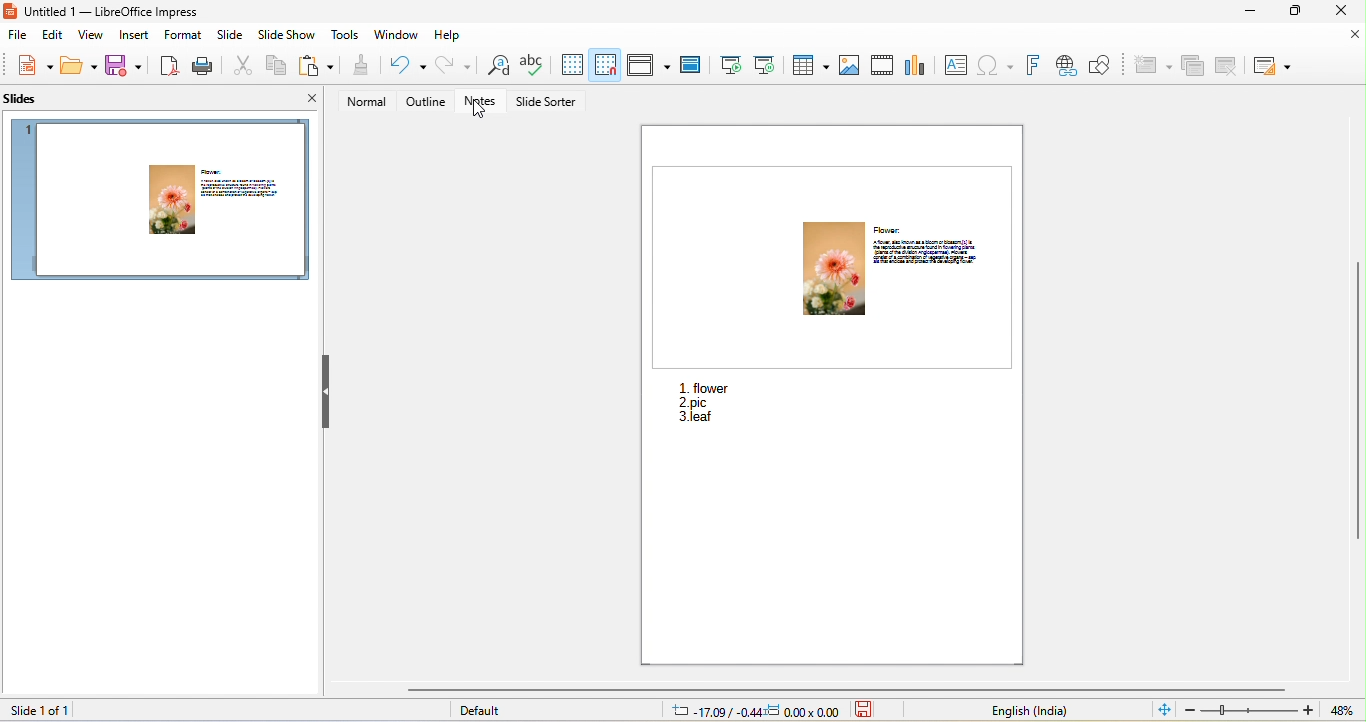  Describe the element at coordinates (344, 36) in the screenshot. I see `tools` at that location.